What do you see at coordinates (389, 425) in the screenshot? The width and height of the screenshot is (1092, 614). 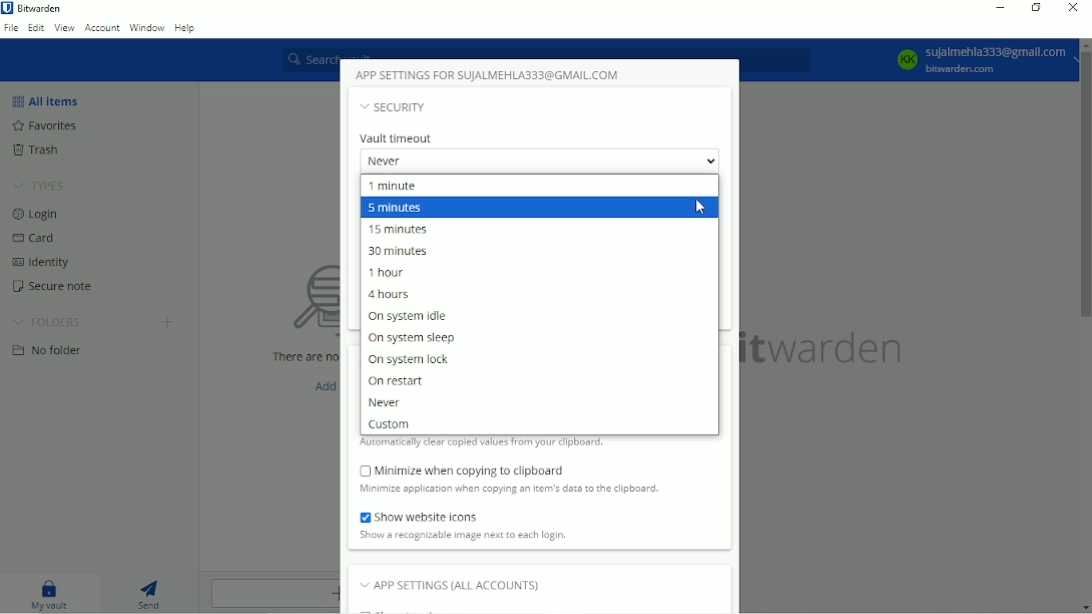 I see `Custom` at bounding box center [389, 425].